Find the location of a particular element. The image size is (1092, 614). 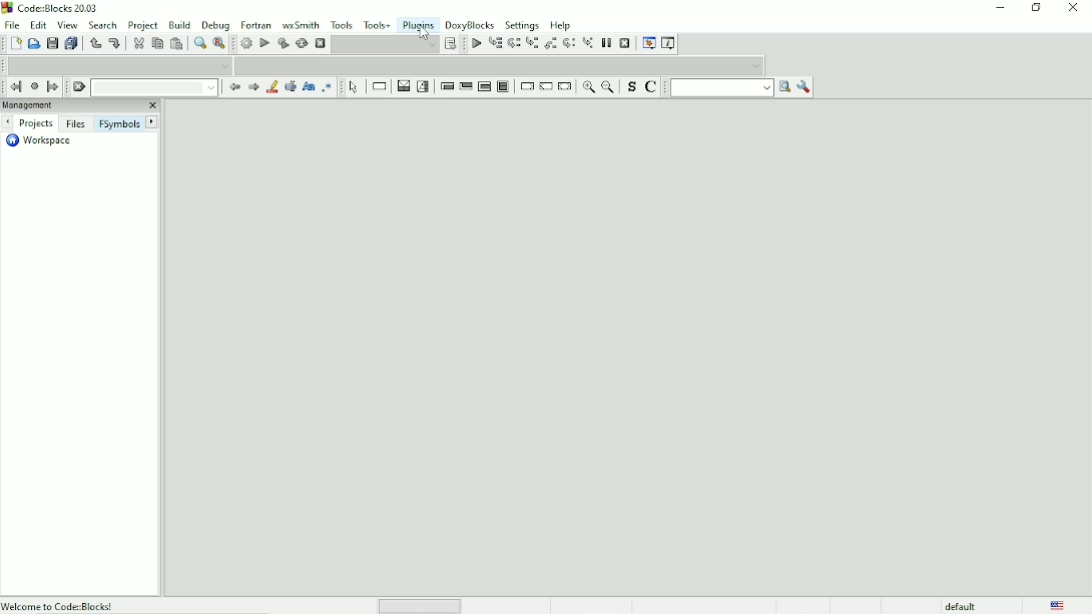

Save everything is located at coordinates (72, 44).